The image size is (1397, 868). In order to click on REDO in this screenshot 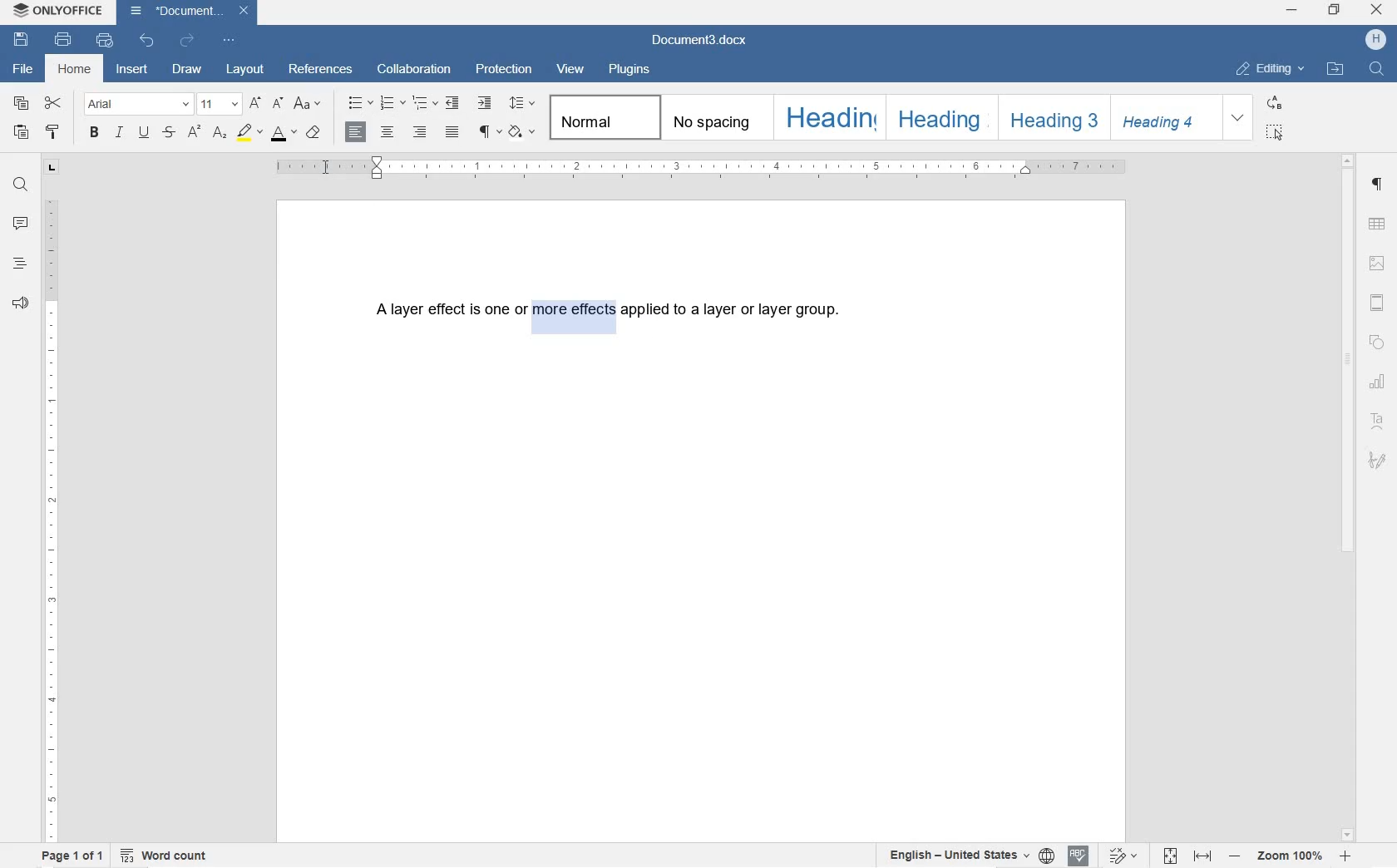, I will do `click(187, 40)`.